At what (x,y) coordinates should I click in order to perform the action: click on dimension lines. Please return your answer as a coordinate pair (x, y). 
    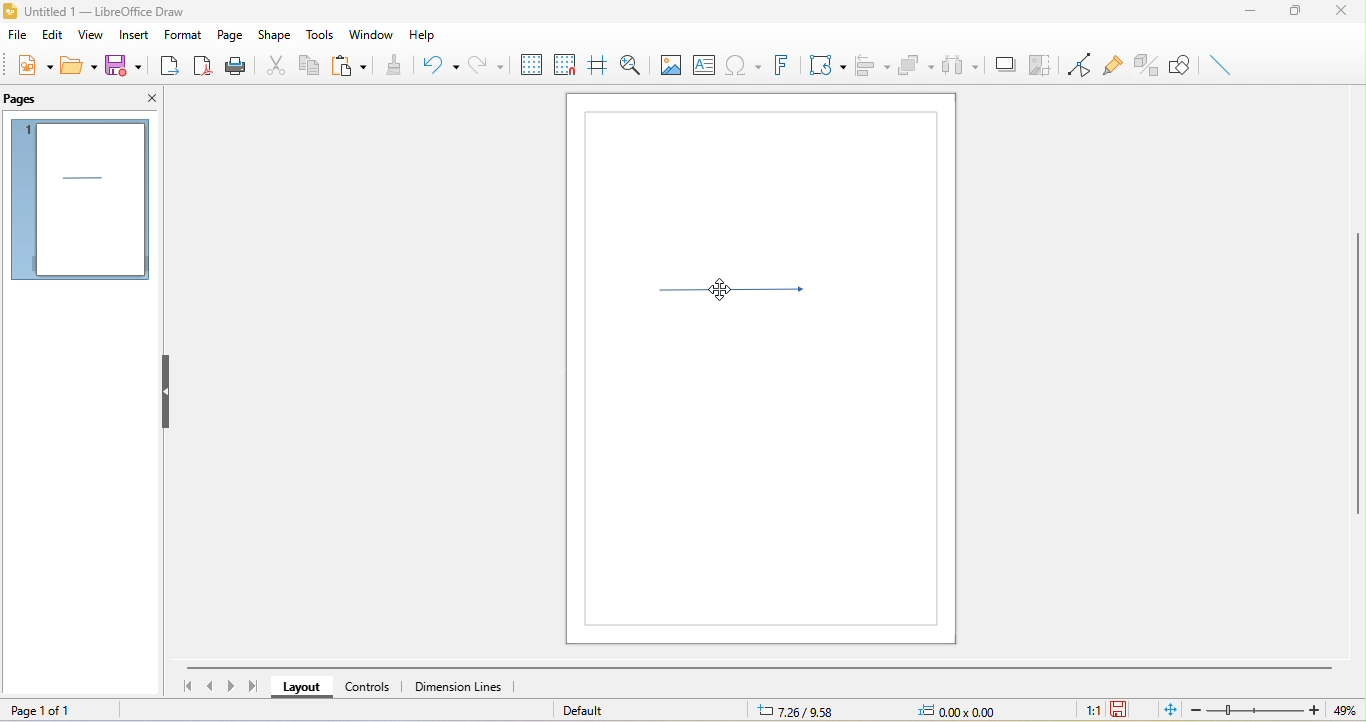
    Looking at the image, I should click on (467, 687).